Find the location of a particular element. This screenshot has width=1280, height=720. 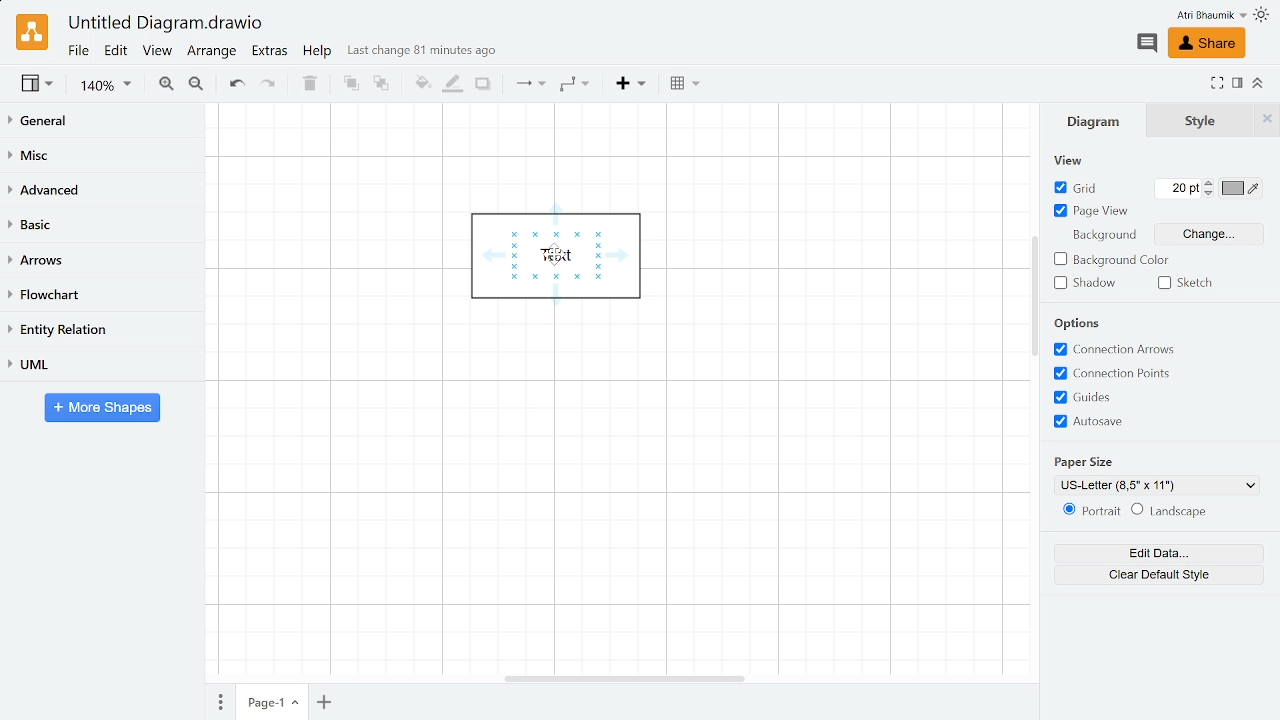

Guides is located at coordinates (1122, 397).